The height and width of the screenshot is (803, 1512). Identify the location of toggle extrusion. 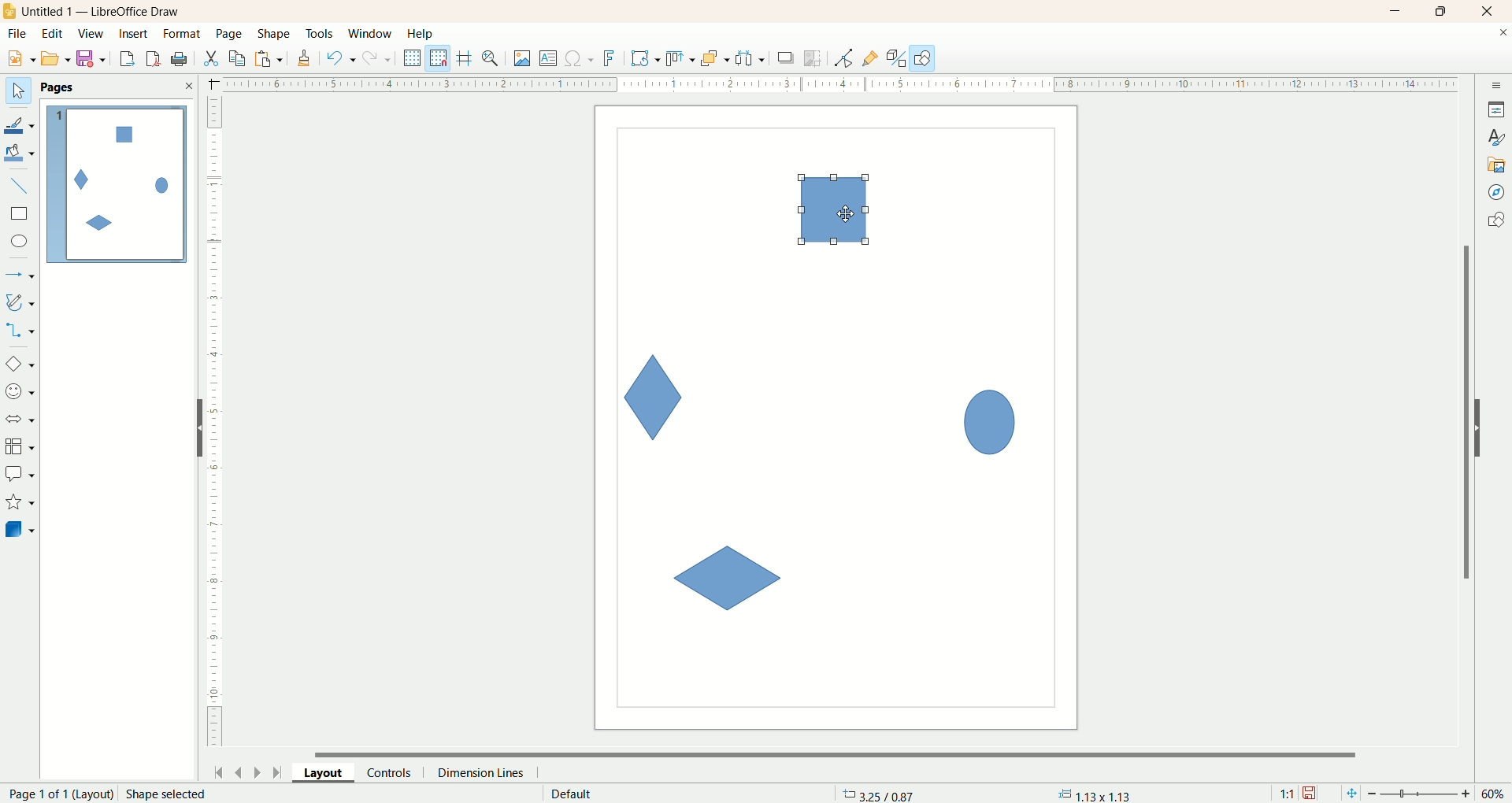
(896, 58).